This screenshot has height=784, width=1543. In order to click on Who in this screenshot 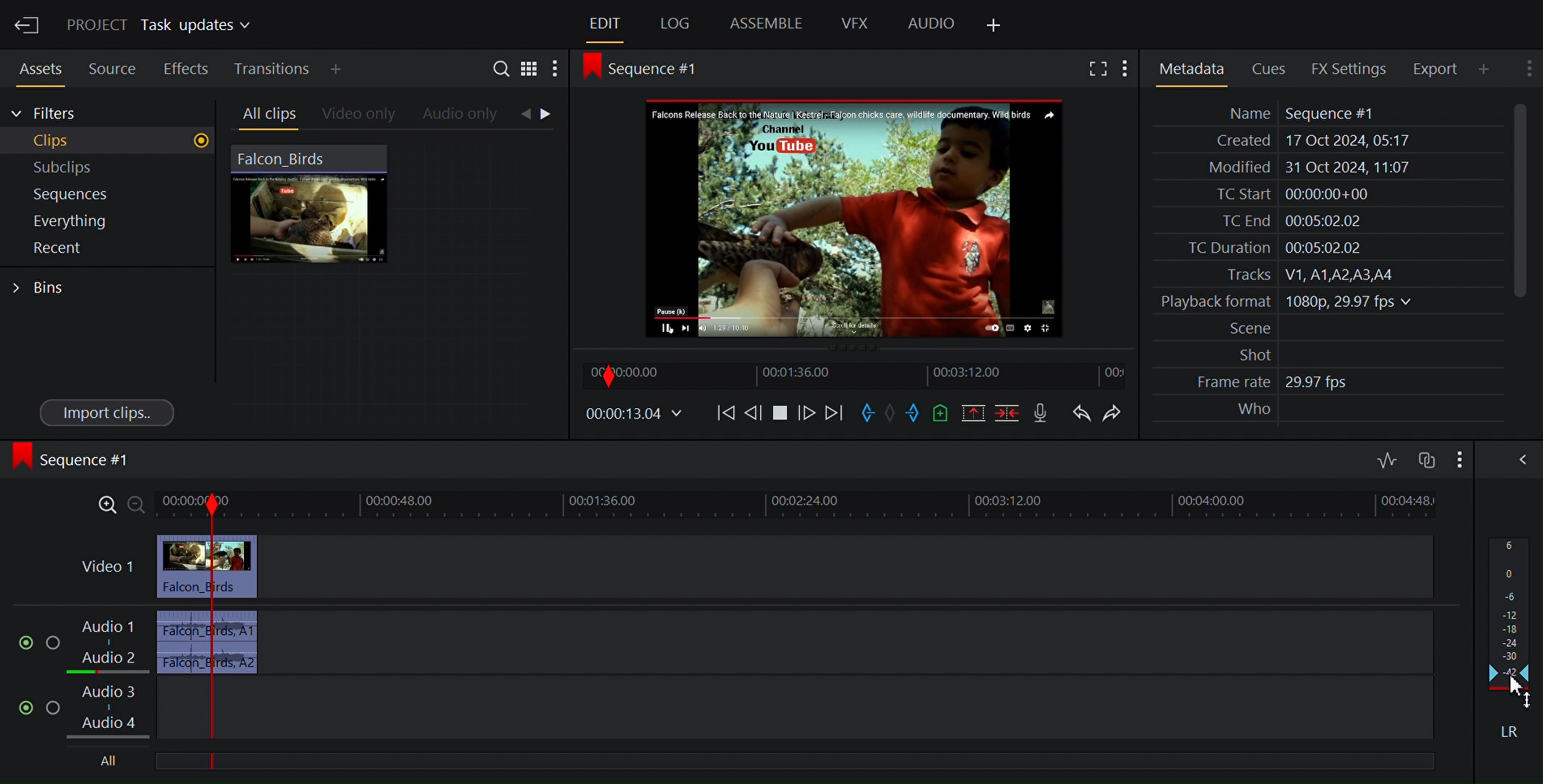, I will do `click(1251, 410)`.